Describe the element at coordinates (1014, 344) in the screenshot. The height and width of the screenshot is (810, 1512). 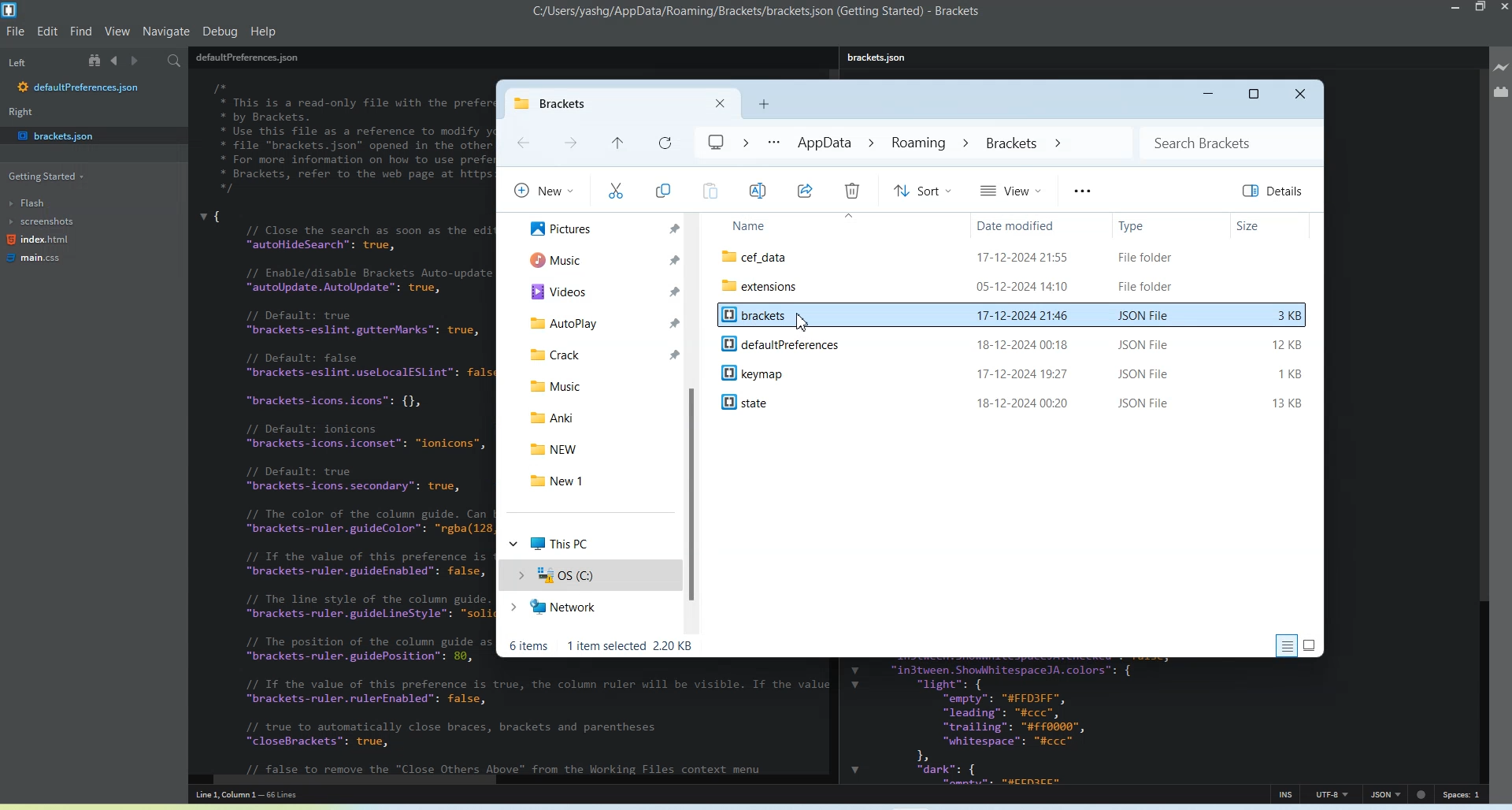
I see `Default preferences` at that location.